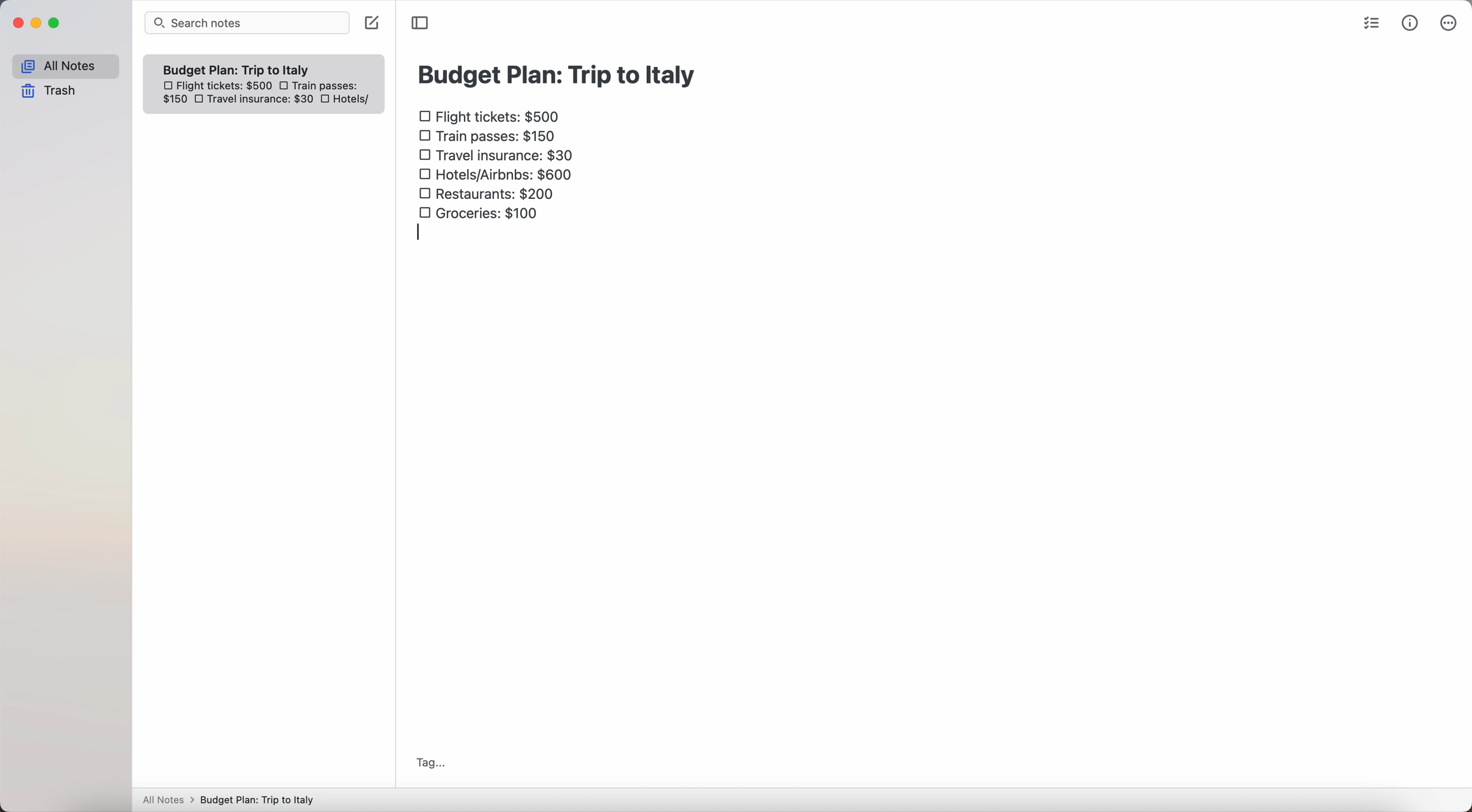 Image resolution: width=1472 pixels, height=812 pixels. I want to click on more options, so click(1449, 23).